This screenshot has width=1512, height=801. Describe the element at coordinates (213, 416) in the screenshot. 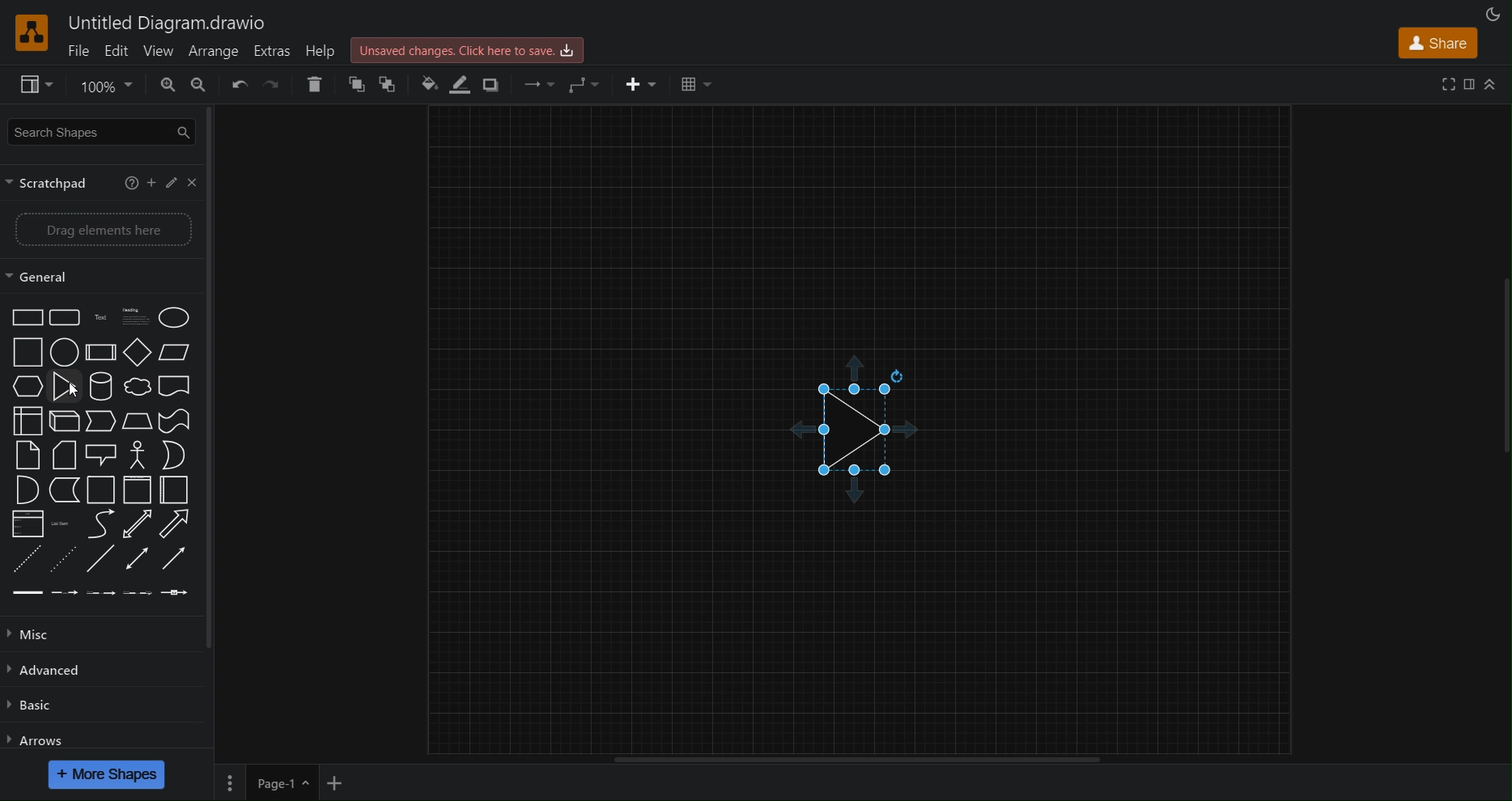

I see `Scrollbar` at that location.